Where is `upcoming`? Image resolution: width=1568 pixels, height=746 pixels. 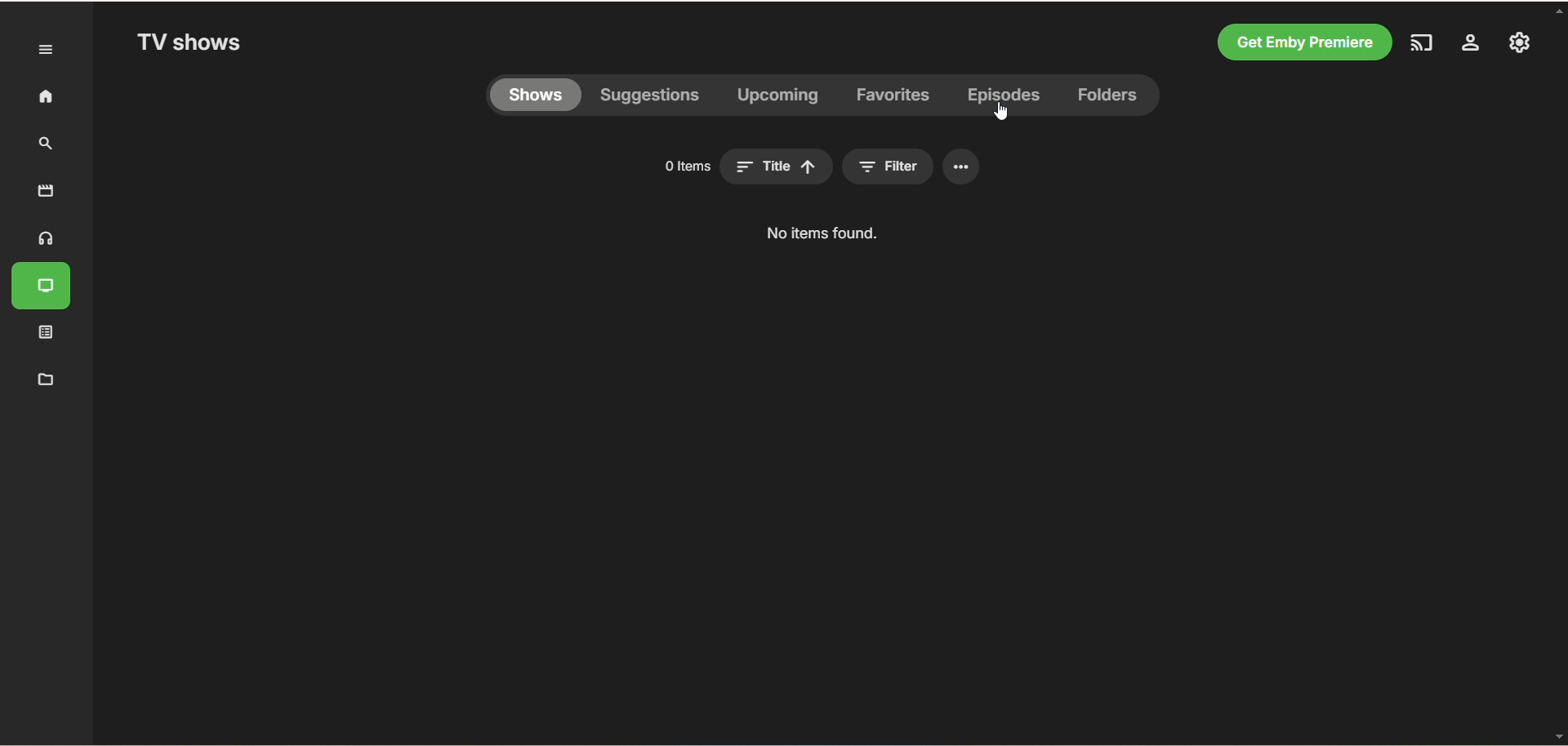
upcoming is located at coordinates (781, 97).